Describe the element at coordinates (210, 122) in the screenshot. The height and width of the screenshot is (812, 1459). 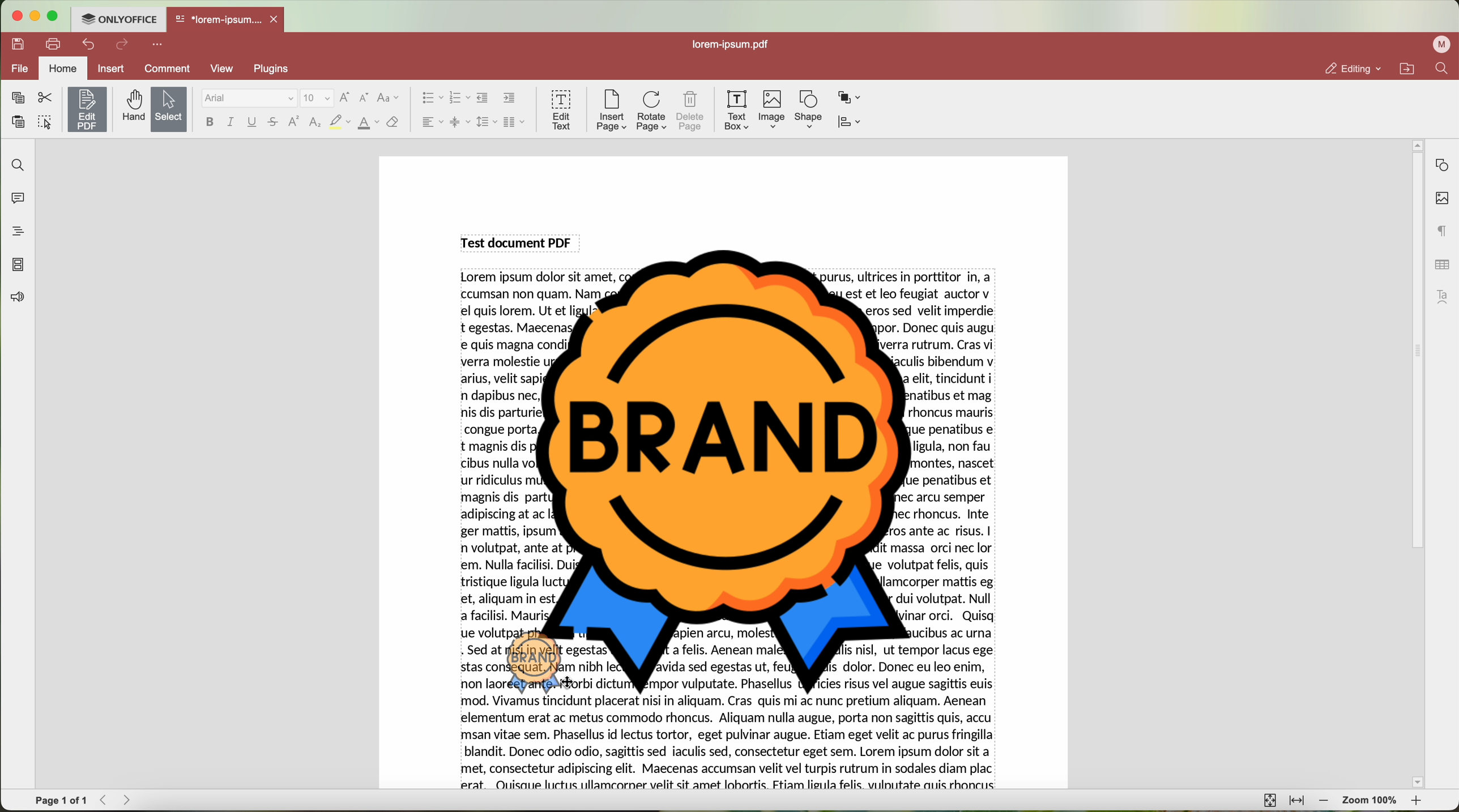
I see `bold` at that location.